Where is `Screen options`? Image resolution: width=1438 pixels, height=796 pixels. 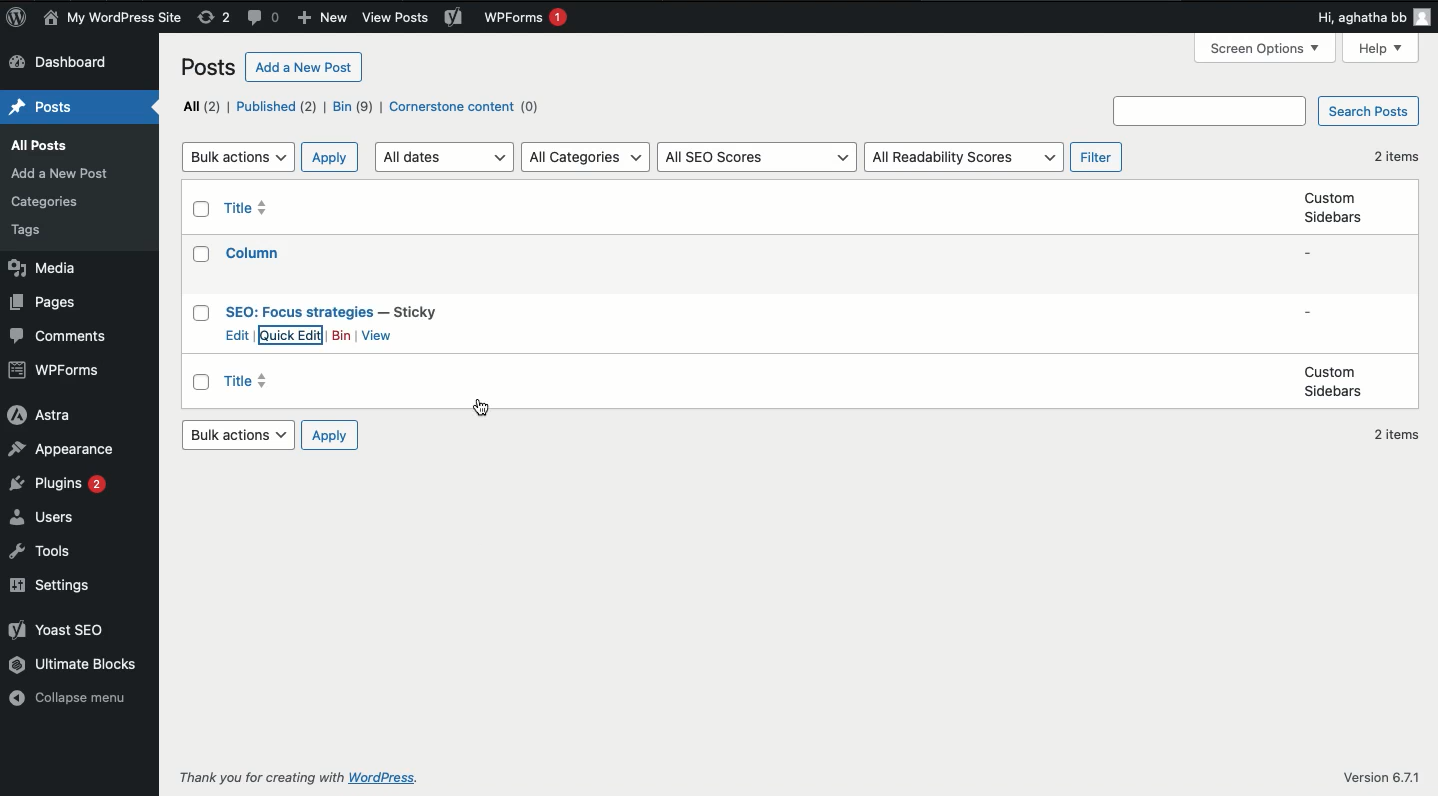
Screen options is located at coordinates (1268, 47).